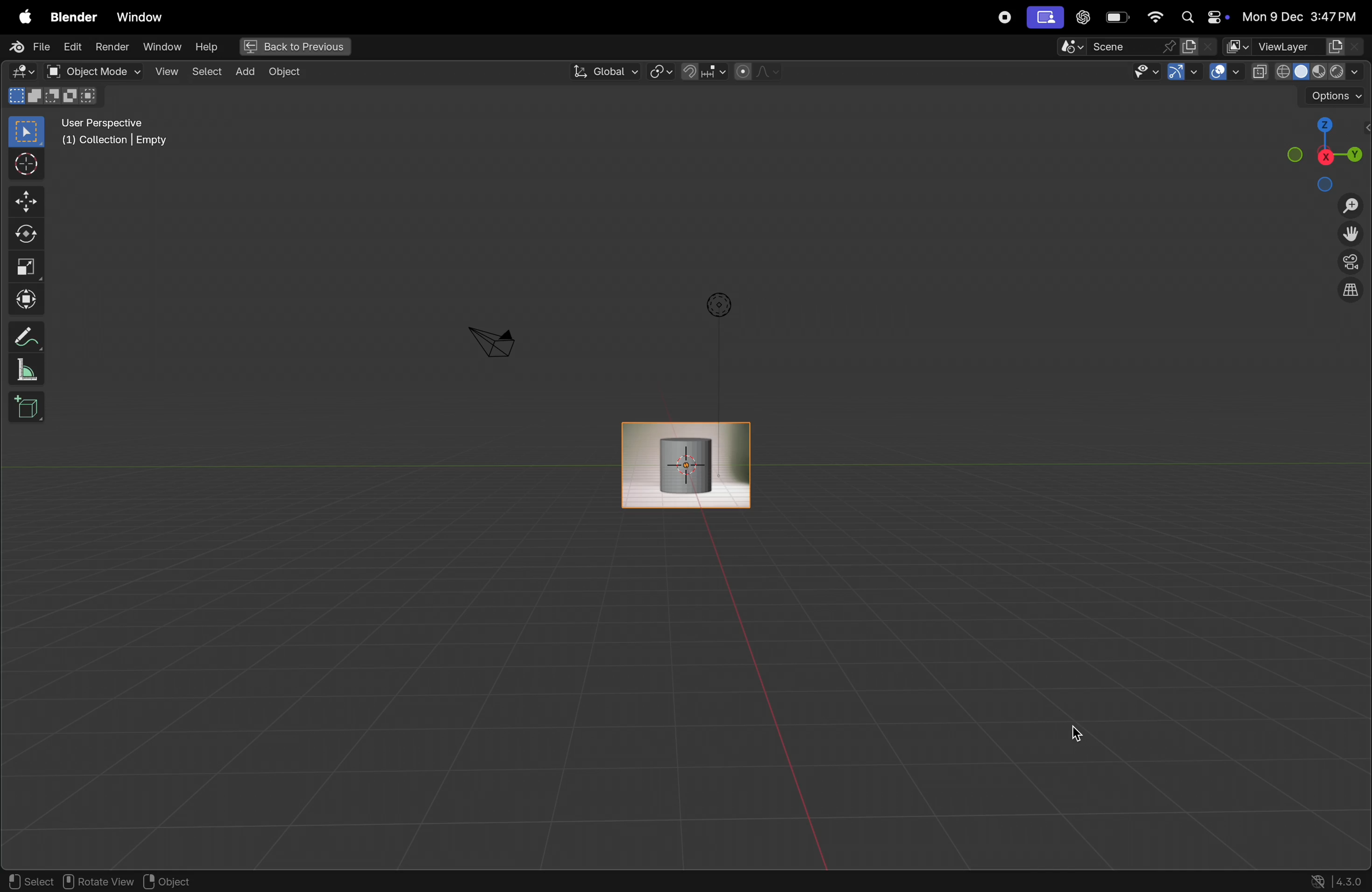 Image resolution: width=1372 pixels, height=892 pixels. What do you see at coordinates (206, 46) in the screenshot?
I see `help` at bounding box center [206, 46].